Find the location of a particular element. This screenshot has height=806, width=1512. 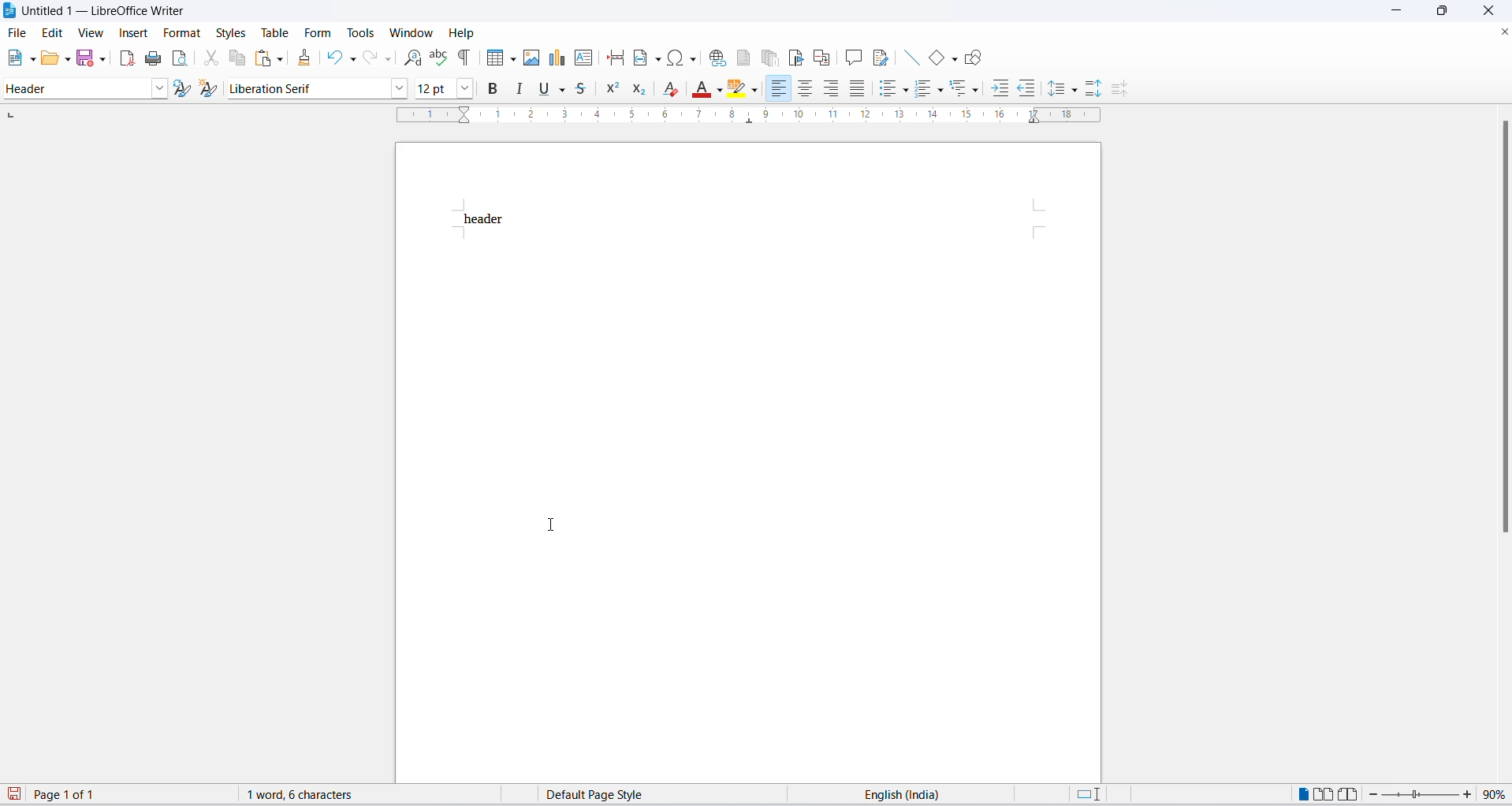

paste options is located at coordinates (281, 58).